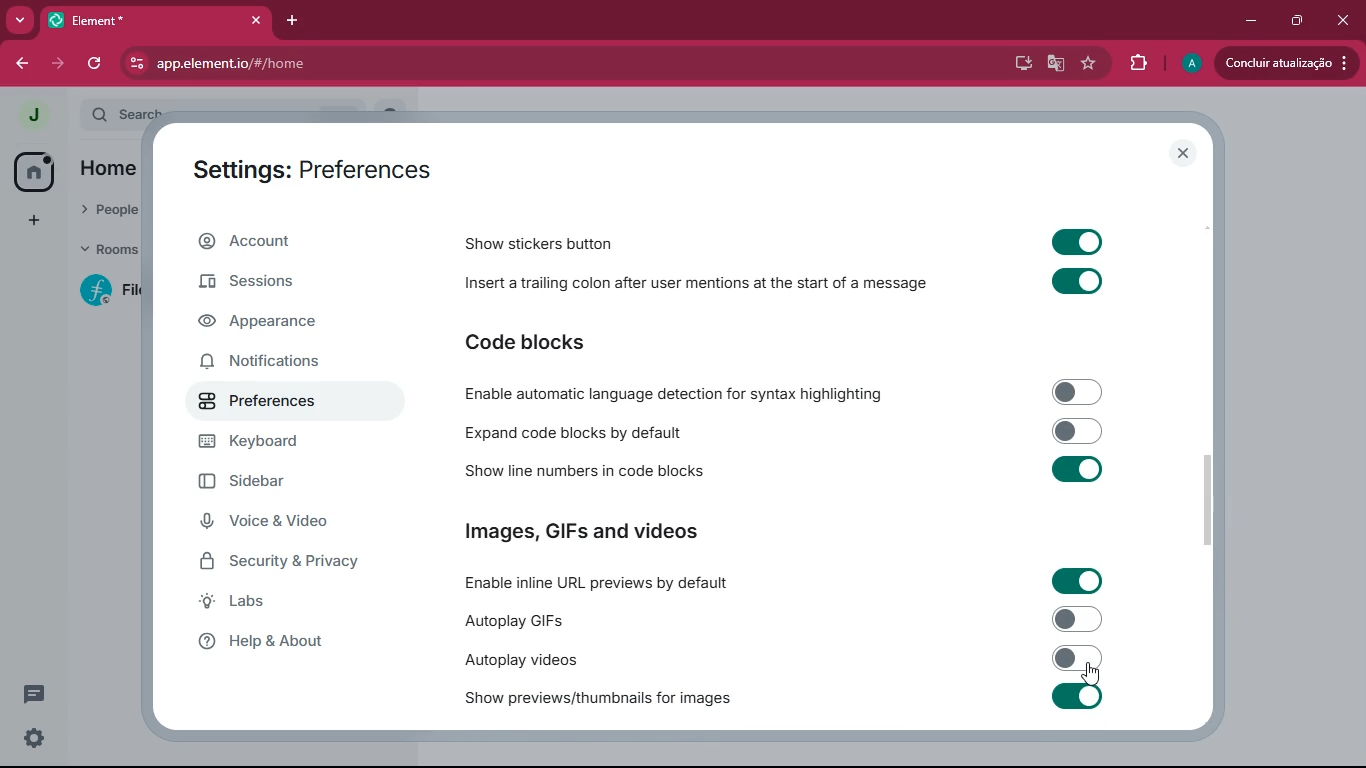  Describe the element at coordinates (1078, 391) in the screenshot. I see `` at that location.